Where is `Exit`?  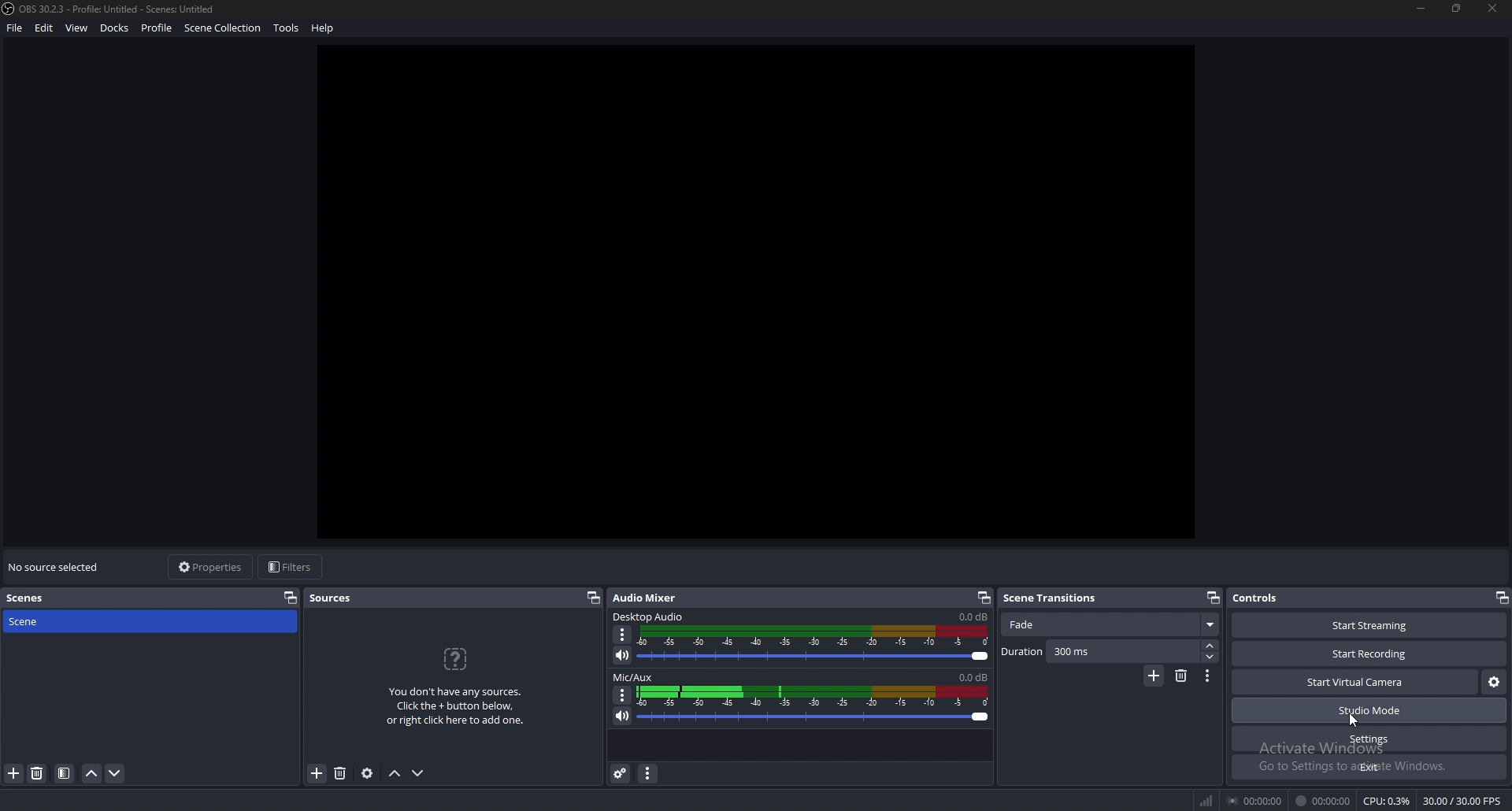 Exit is located at coordinates (1369, 767).